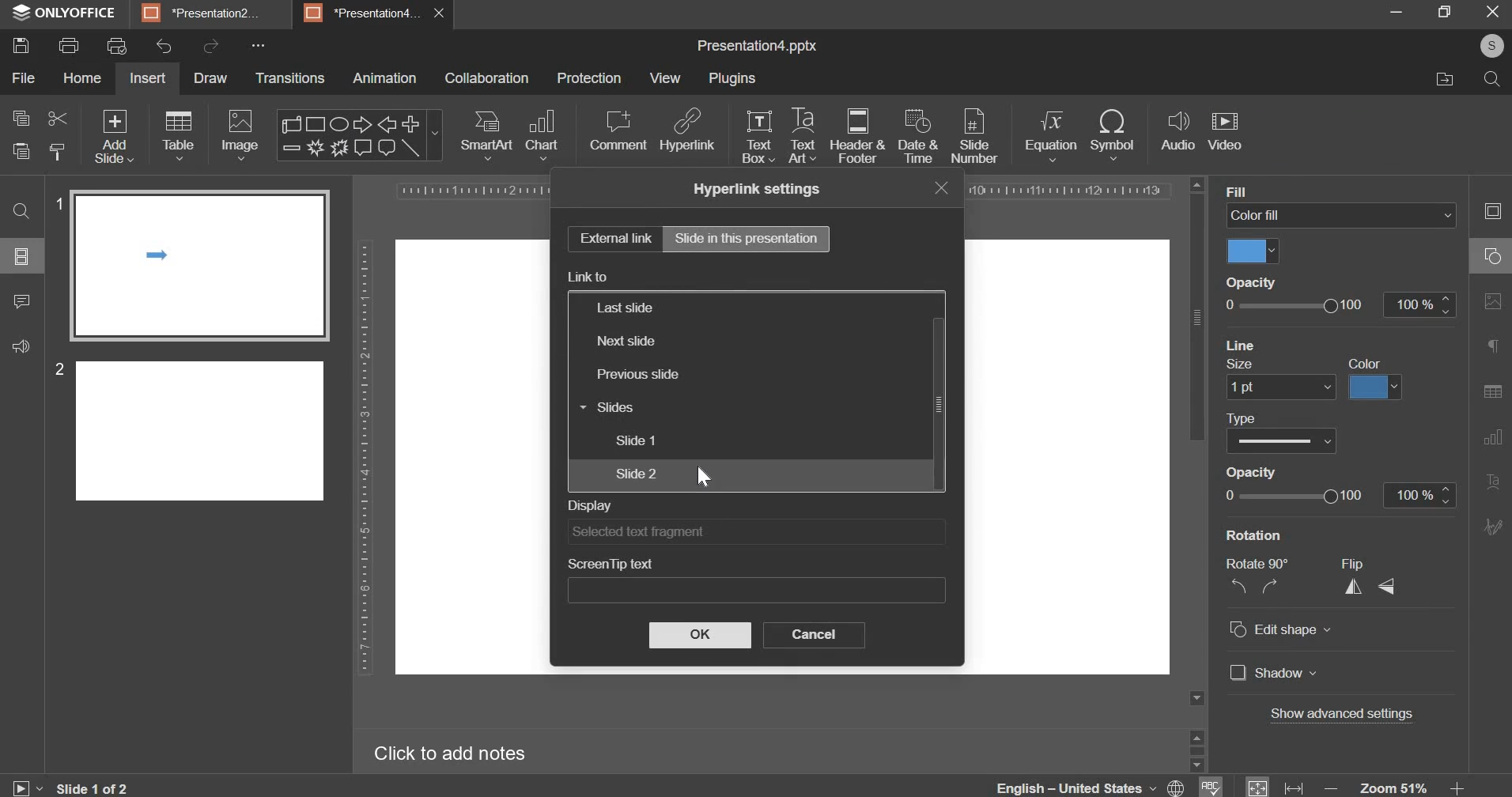 This screenshot has width=1512, height=797. What do you see at coordinates (1197, 308) in the screenshot?
I see `|scroll bar` at bounding box center [1197, 308].